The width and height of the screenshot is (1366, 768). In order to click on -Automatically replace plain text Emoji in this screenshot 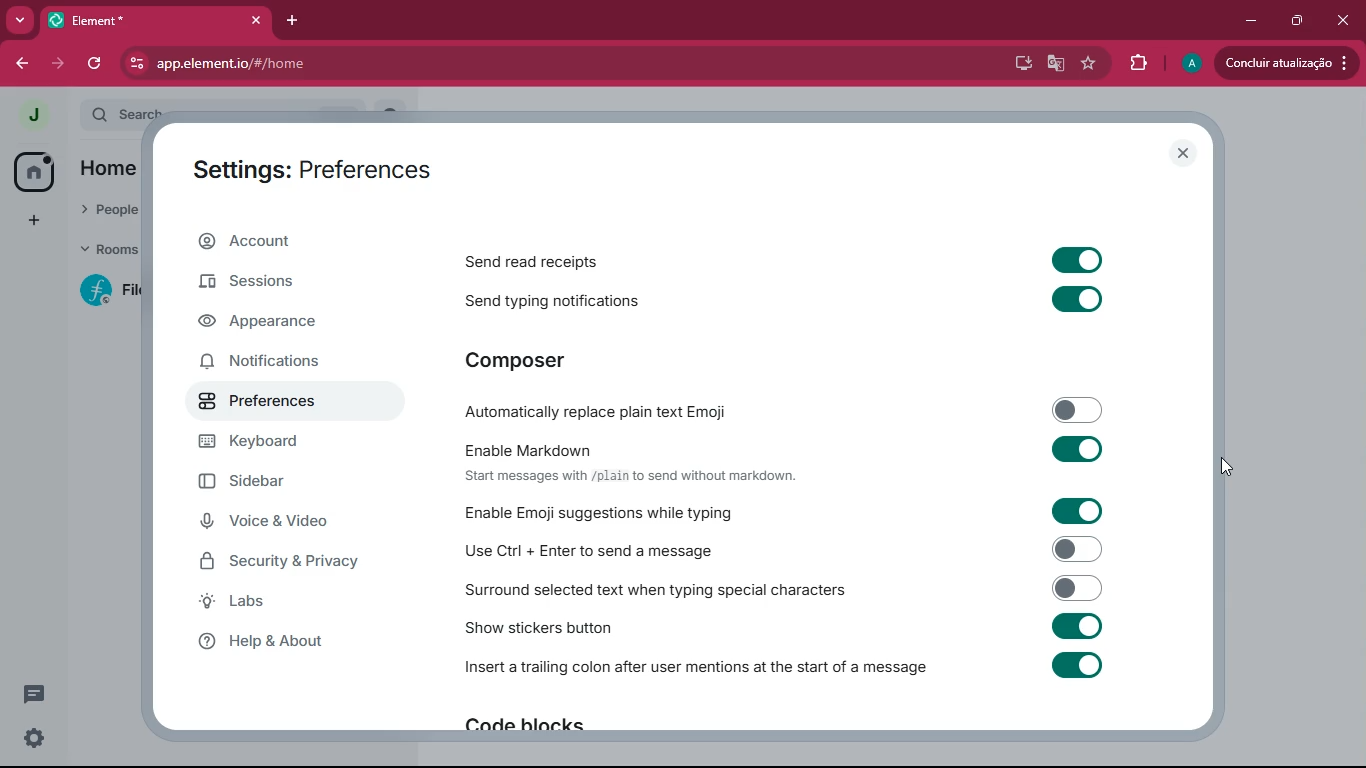, I will do `click(780, 413)`.